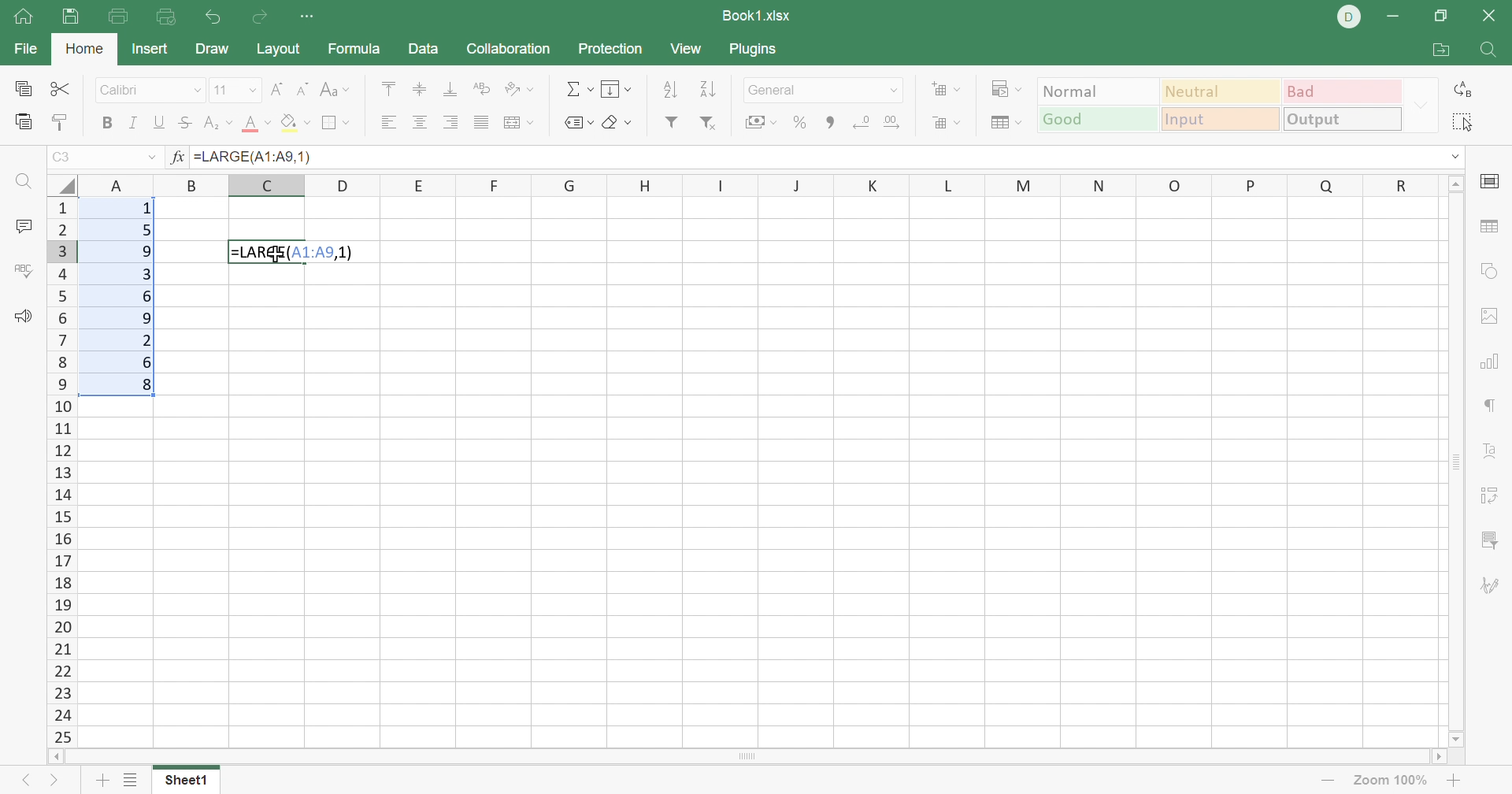 This screenshot has height=794, width=1512. I want to click on Paste, so click(23, 123).